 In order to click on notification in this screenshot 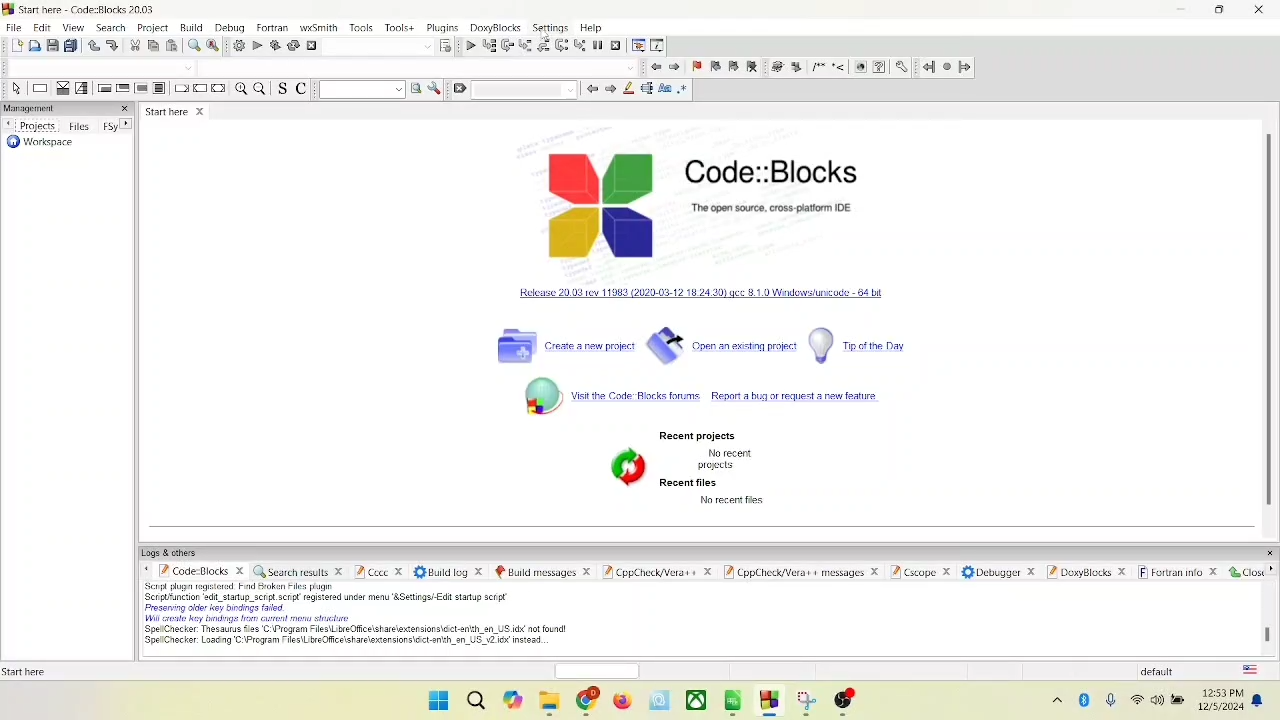, I will do `click(1260, 700)`.